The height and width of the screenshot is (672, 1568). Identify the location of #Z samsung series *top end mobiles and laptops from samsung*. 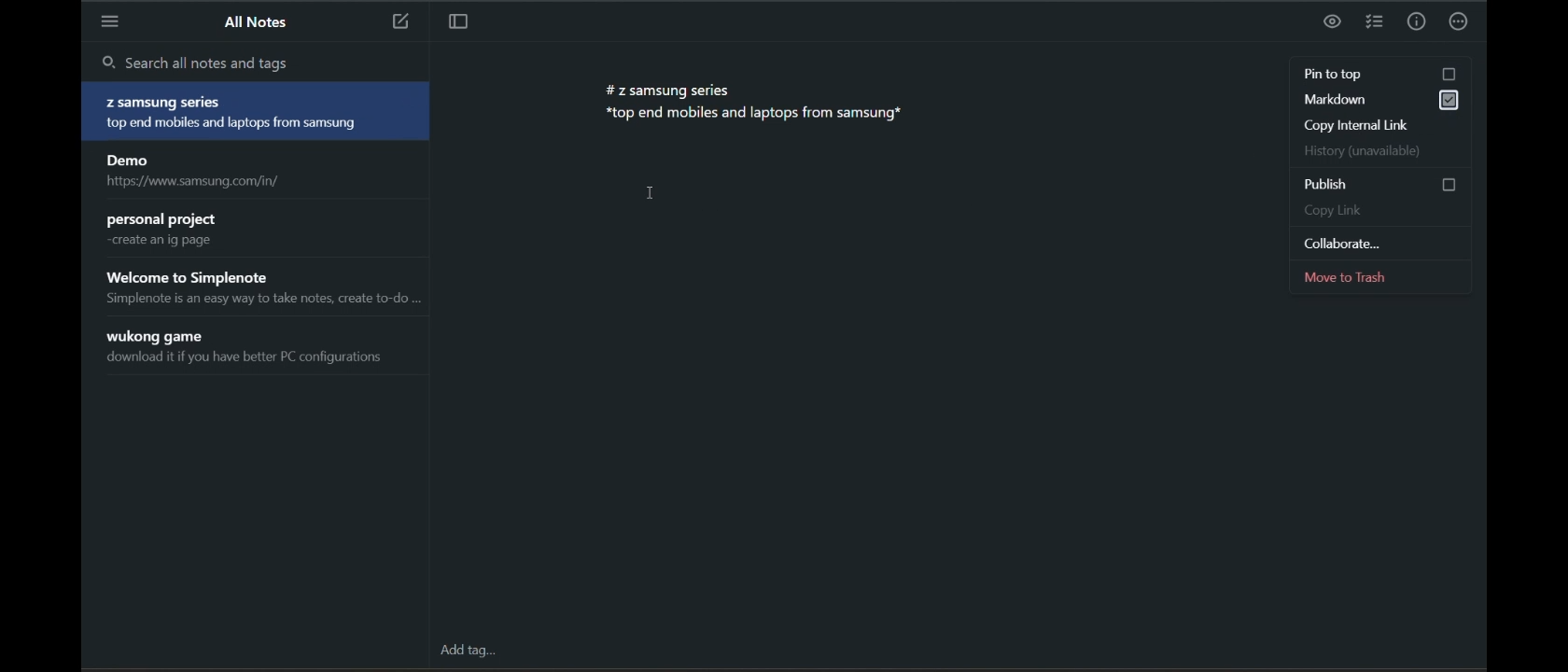
(258, 113).